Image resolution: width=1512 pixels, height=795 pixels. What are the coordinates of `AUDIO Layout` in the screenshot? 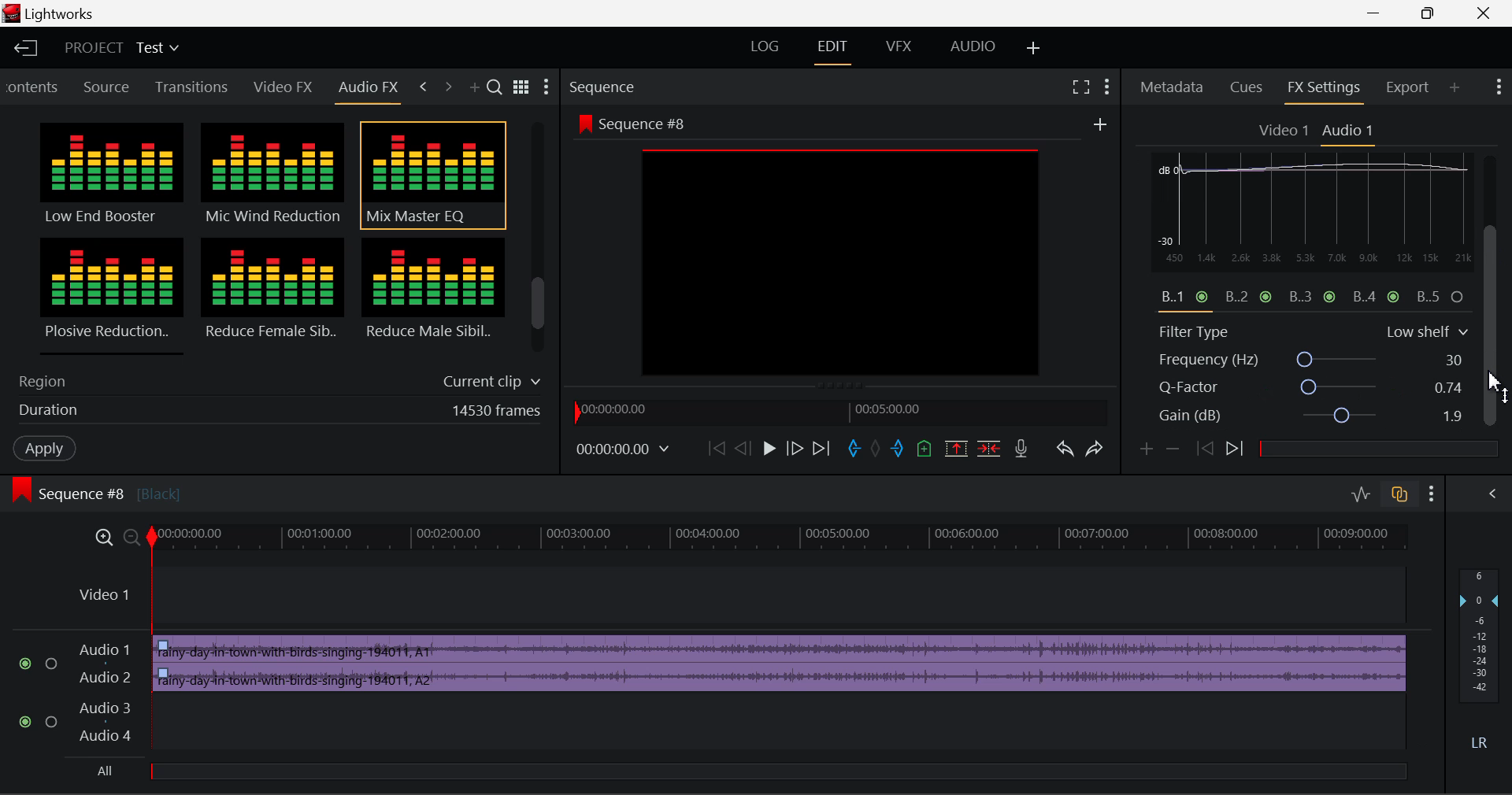 It's located at (972, 48).